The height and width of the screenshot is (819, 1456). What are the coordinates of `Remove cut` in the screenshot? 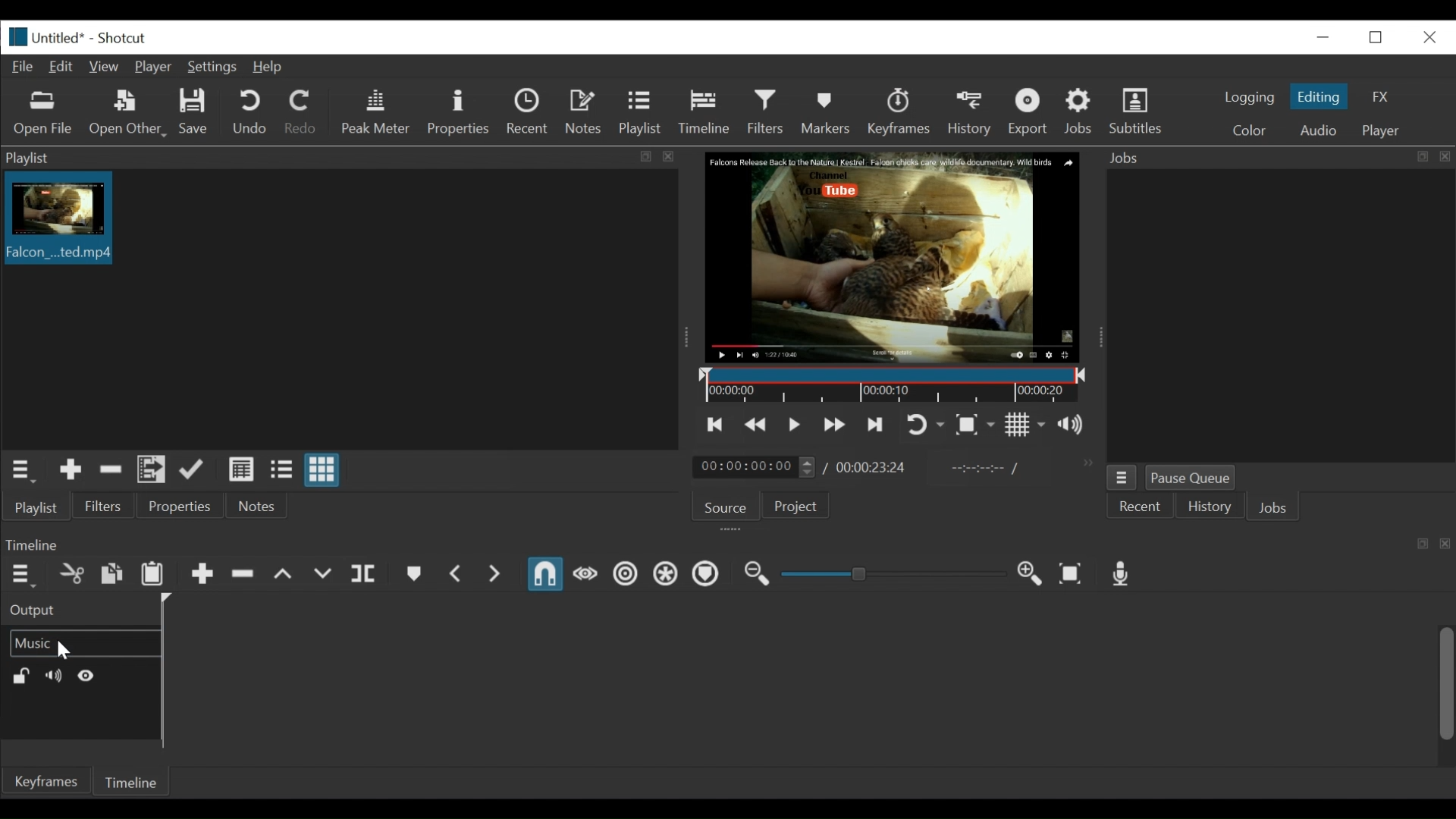 It's located at (111, 470).